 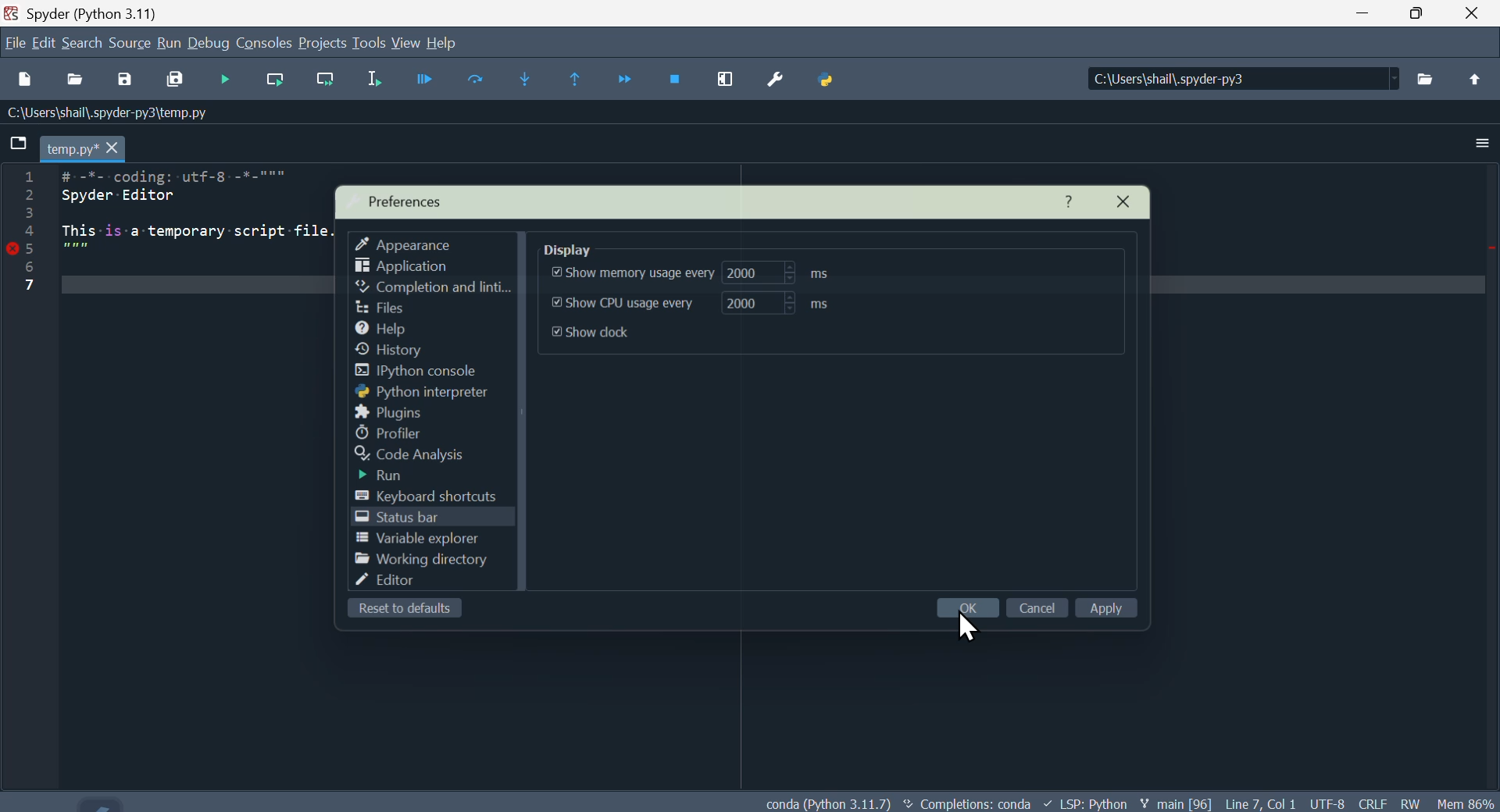 I want to click on Preferences, so click(x=409, y=200).